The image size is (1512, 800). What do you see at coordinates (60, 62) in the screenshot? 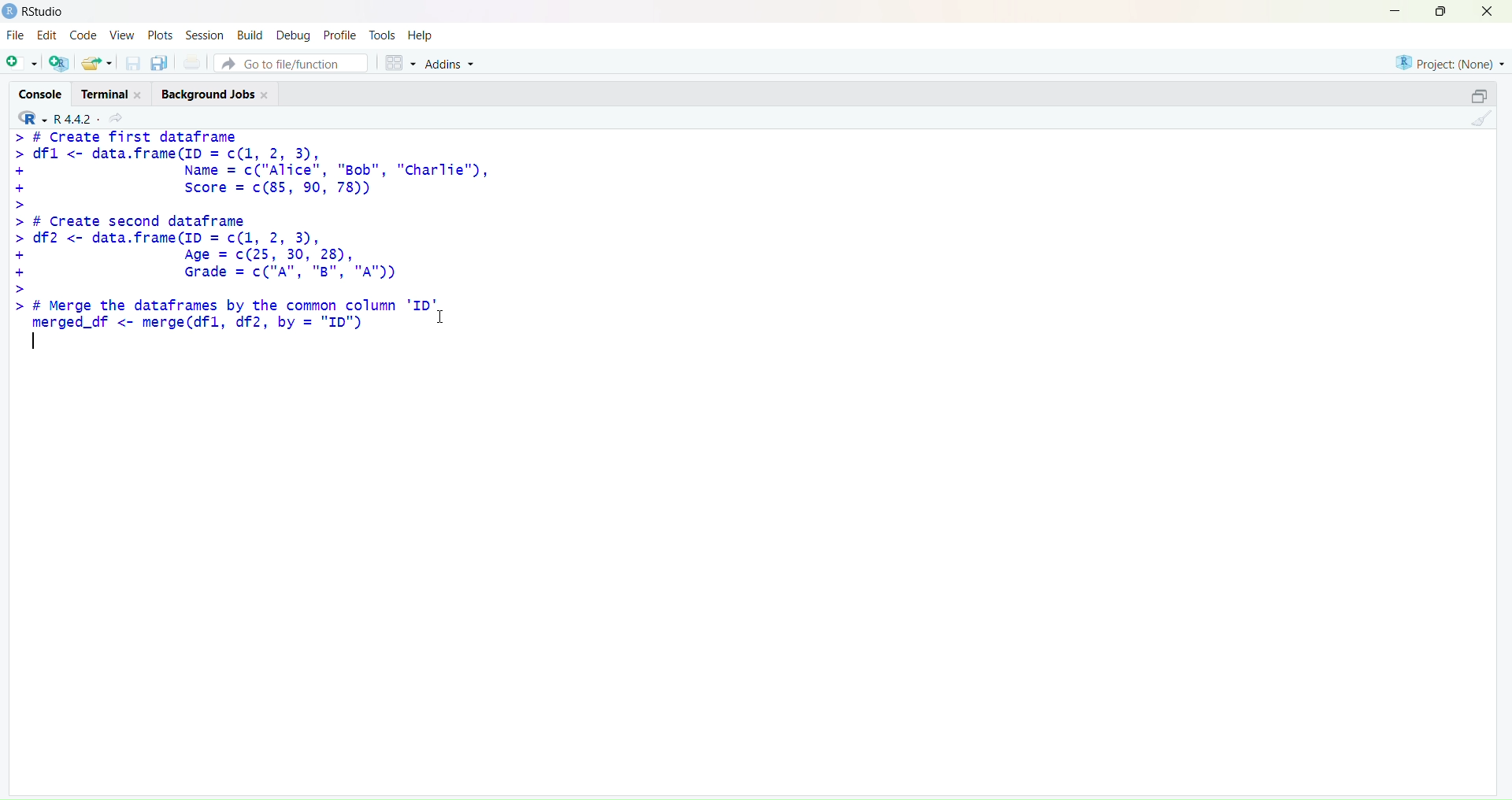
I see `create a project` at bounding box center [60, 62].